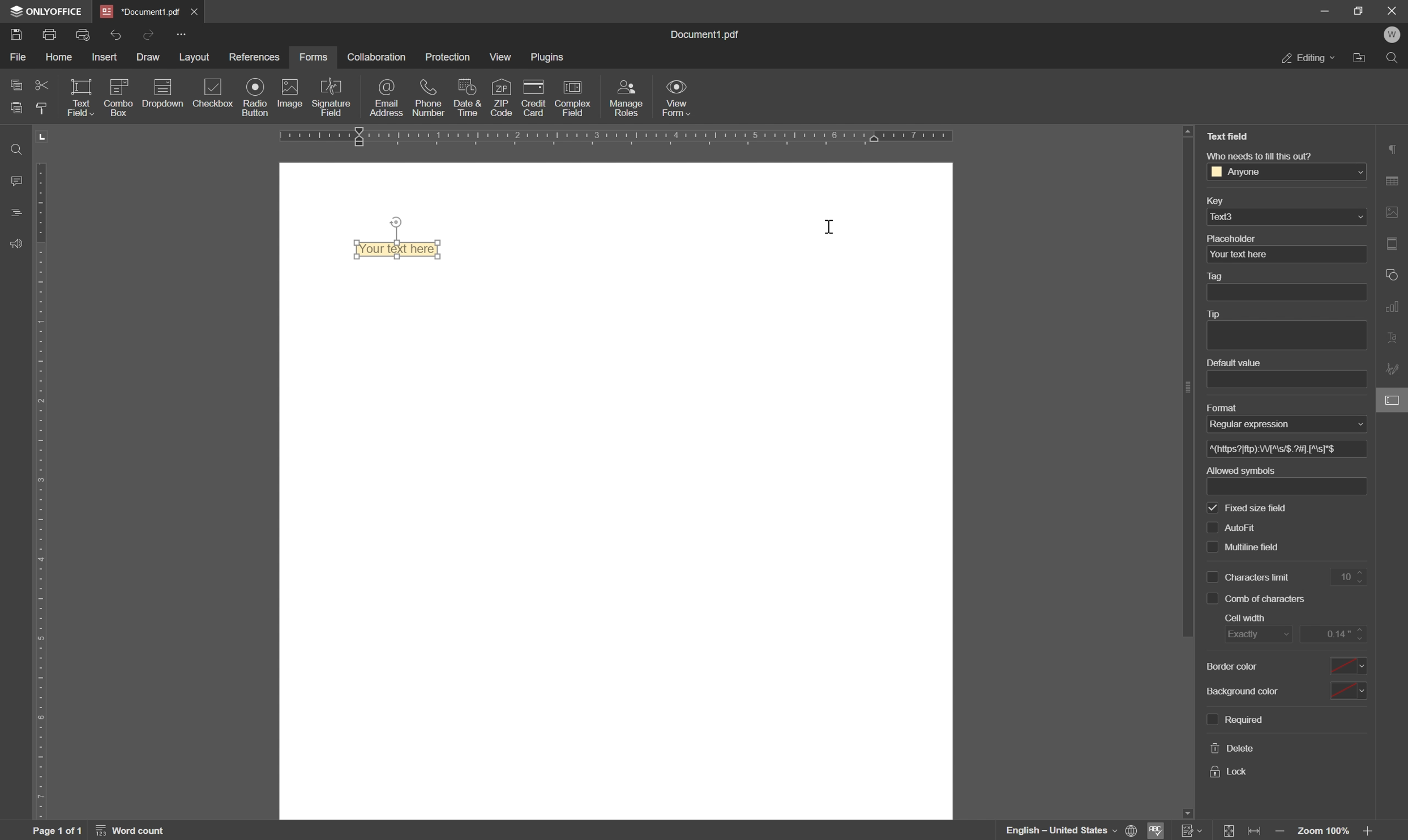 The image size is (1408, 840). Describe the element at coordinates (314, 57) in the screenshot. I see `forms` at that location.